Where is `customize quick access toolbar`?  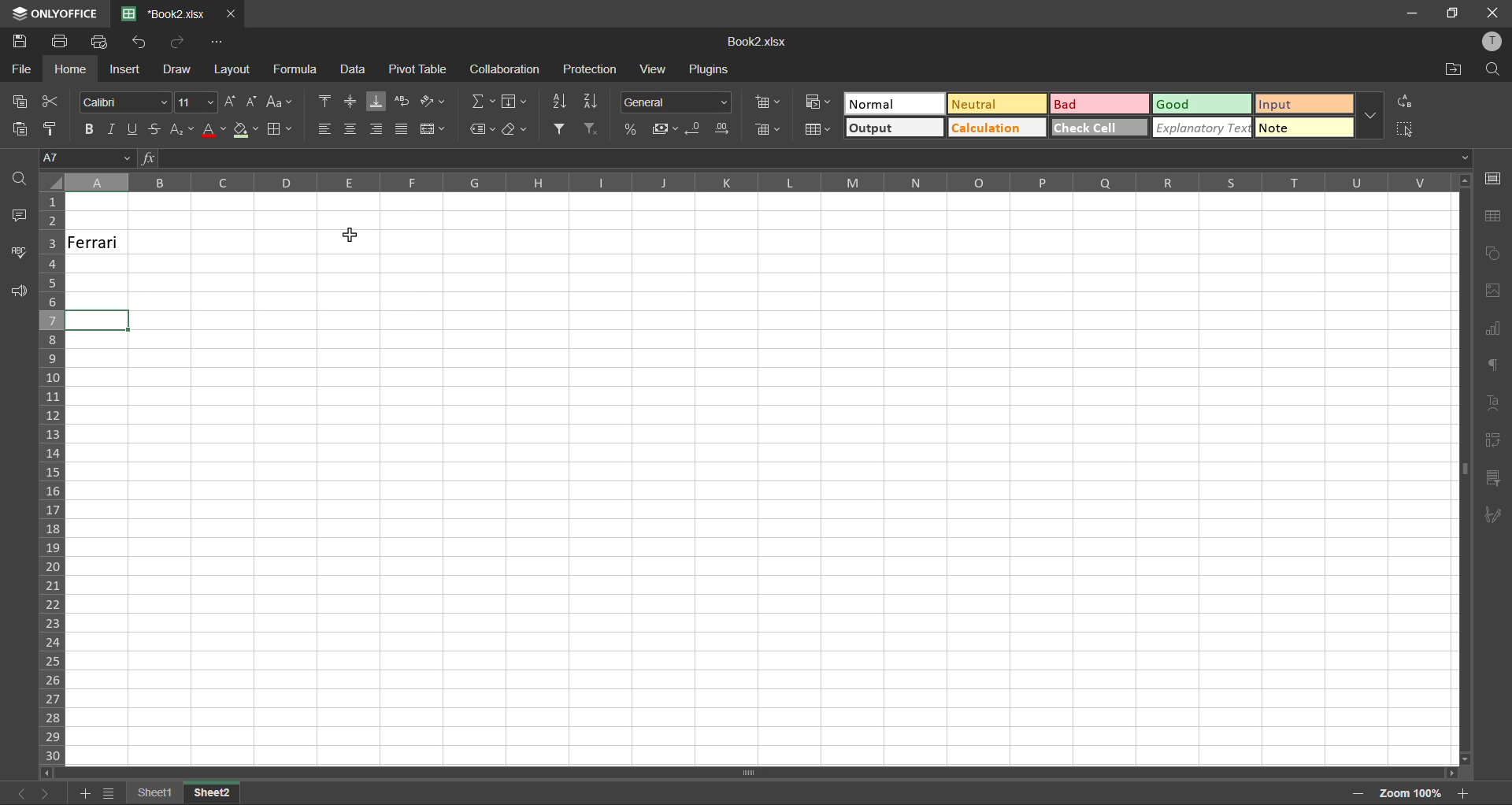 customize quick access toolbar is located at coordinates (218, 43).